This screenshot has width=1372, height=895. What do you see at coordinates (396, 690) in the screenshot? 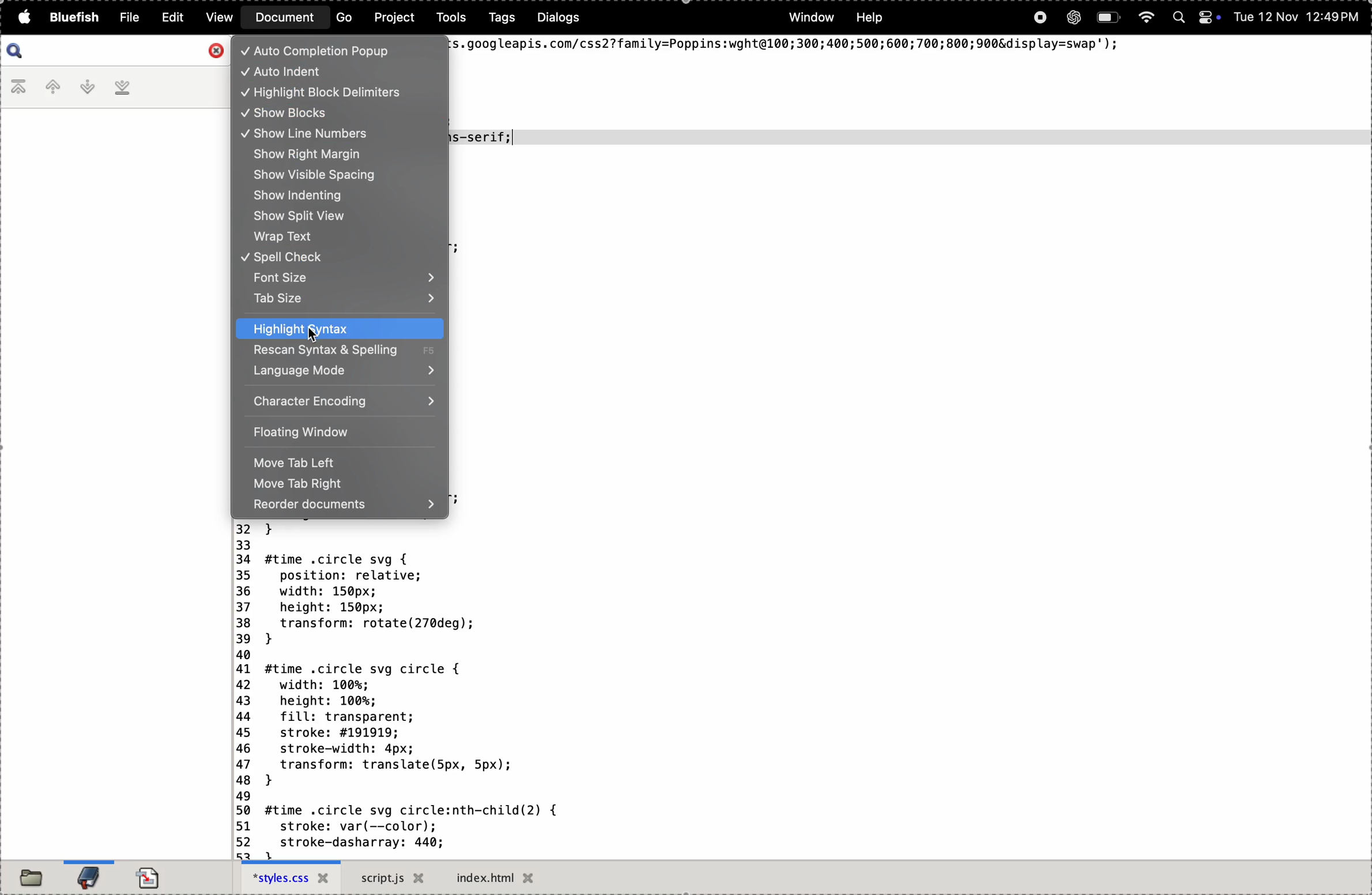
I see `32 }3334 #time .circle svg {35 position: relative;36 width: 150px;37 height: 150px;38 transform: rotate(270deg);39 }4041 #time .circle svg circle {42 width: 100%;43 height: 100%;44 fill: transparent;45 stroke: #191919;46 stroke-width: 4px;47 transform: translate(5px, 5px);48 }4950 #time .circle svg circle:nth-child(2) {51 stroke: var(--color);52 stroke-dasharray: 440;` at bounding box center [396, 690].